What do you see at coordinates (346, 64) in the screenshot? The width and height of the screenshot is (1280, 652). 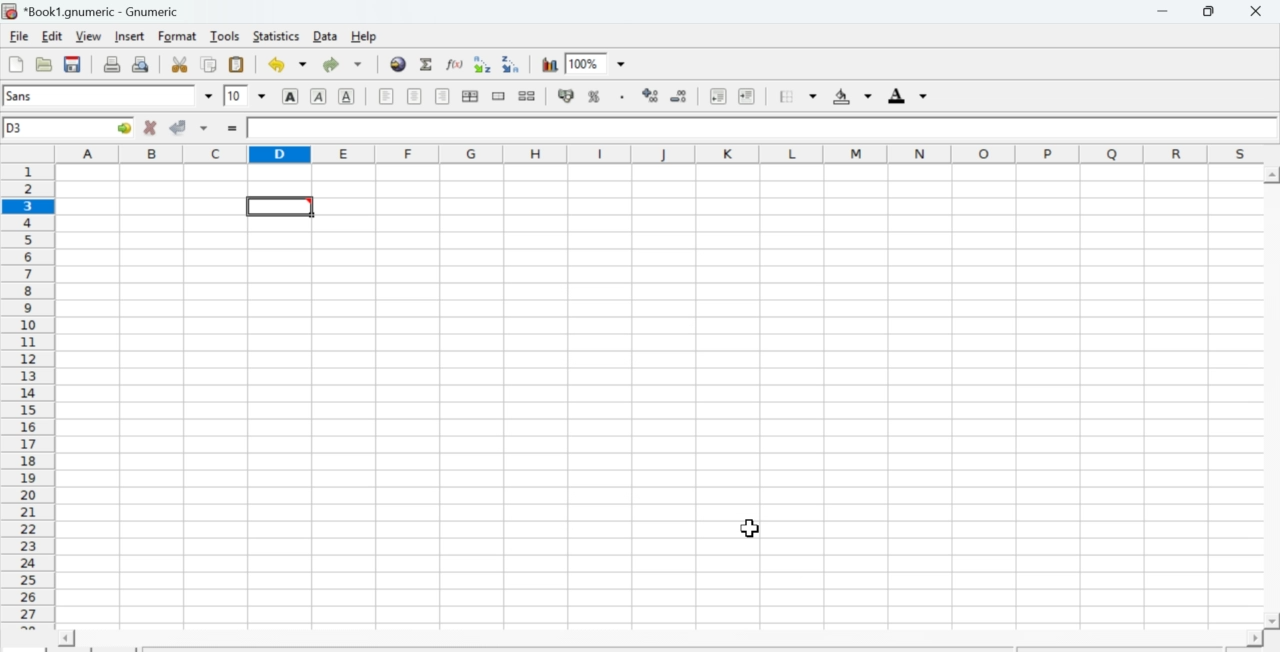 I see `Redo` at bounding box center [346, 64].